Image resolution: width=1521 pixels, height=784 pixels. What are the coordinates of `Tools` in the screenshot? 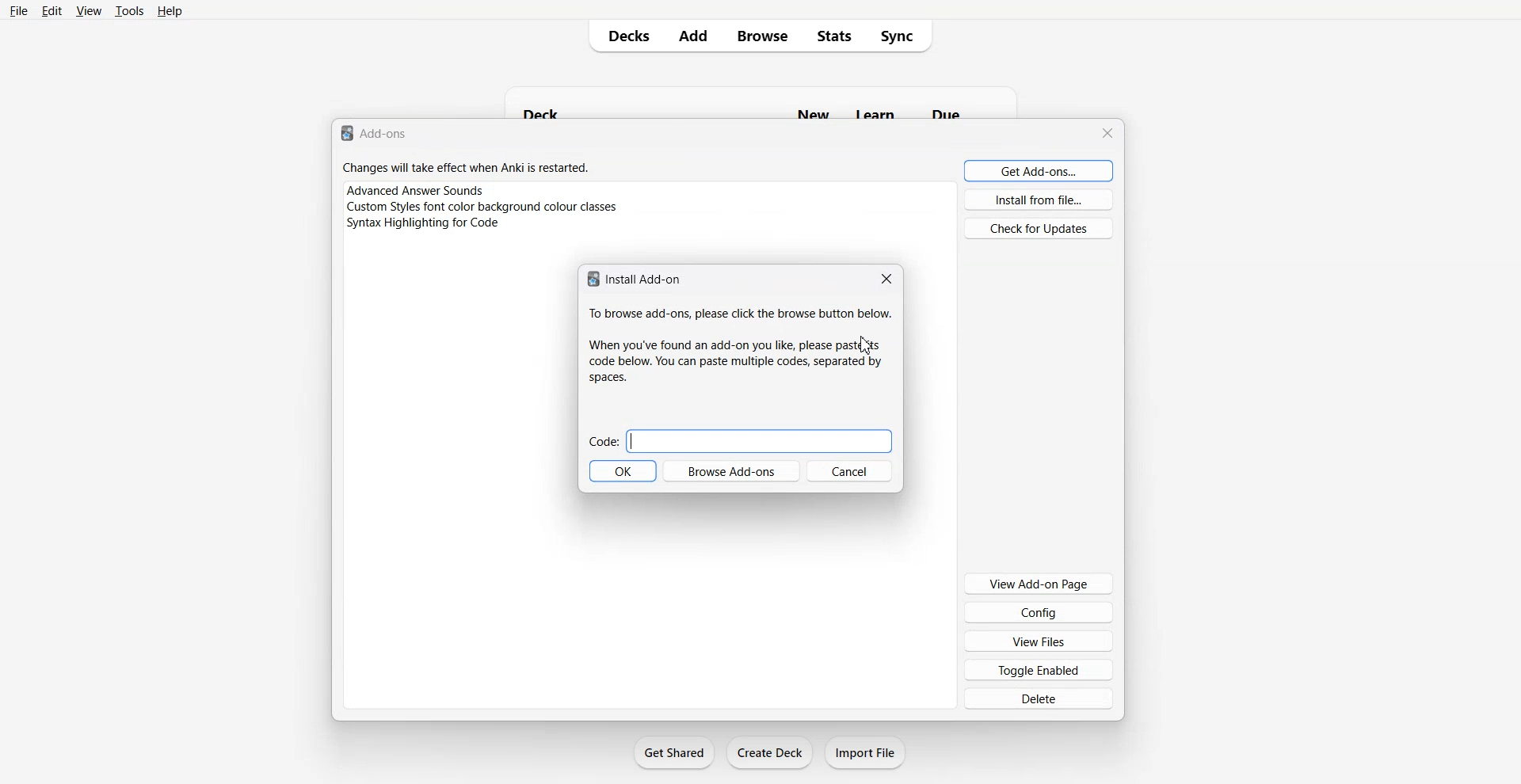 It's located at (129, 10).